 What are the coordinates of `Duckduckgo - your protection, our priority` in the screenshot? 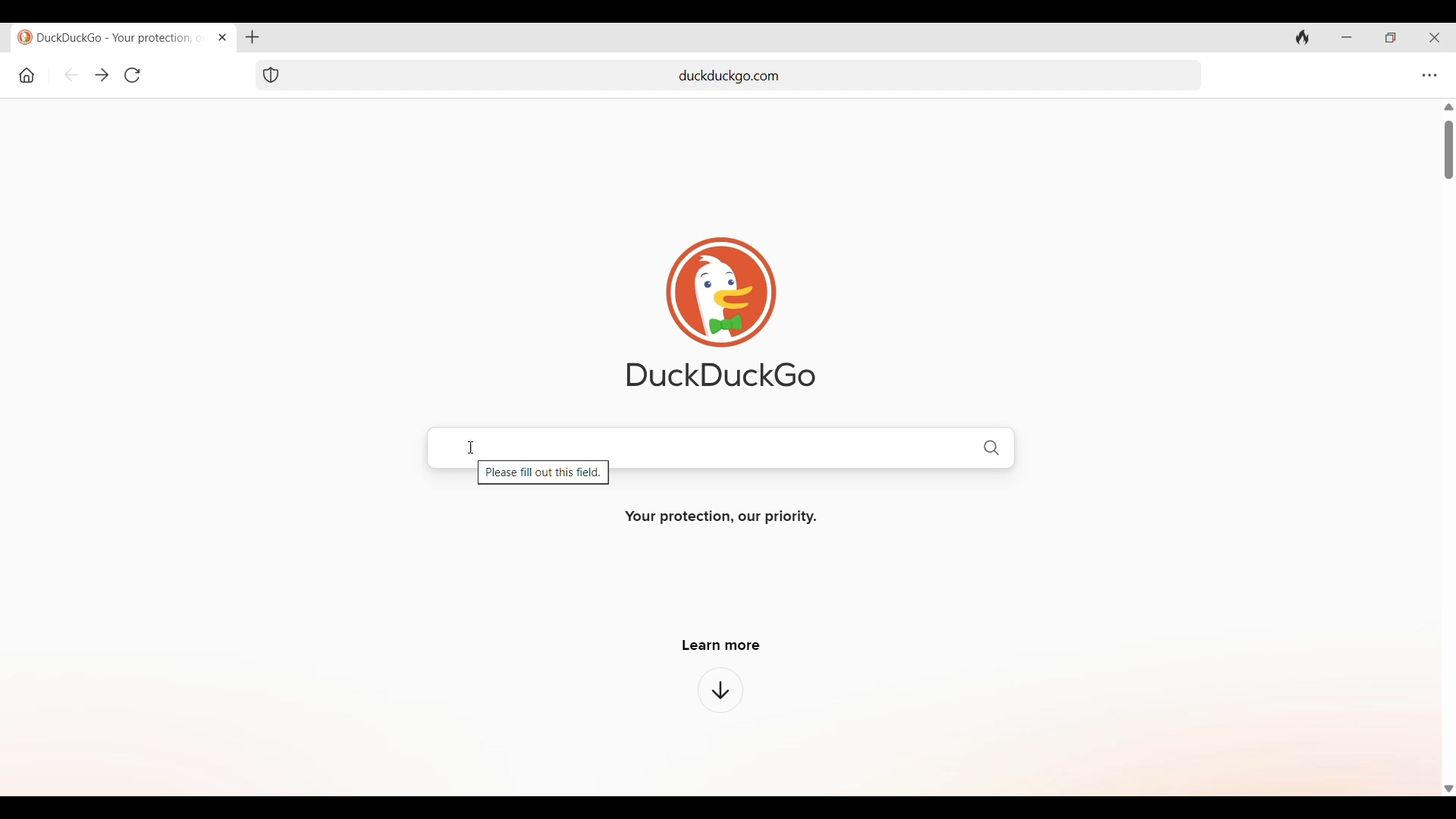 It's located at (108, 37).